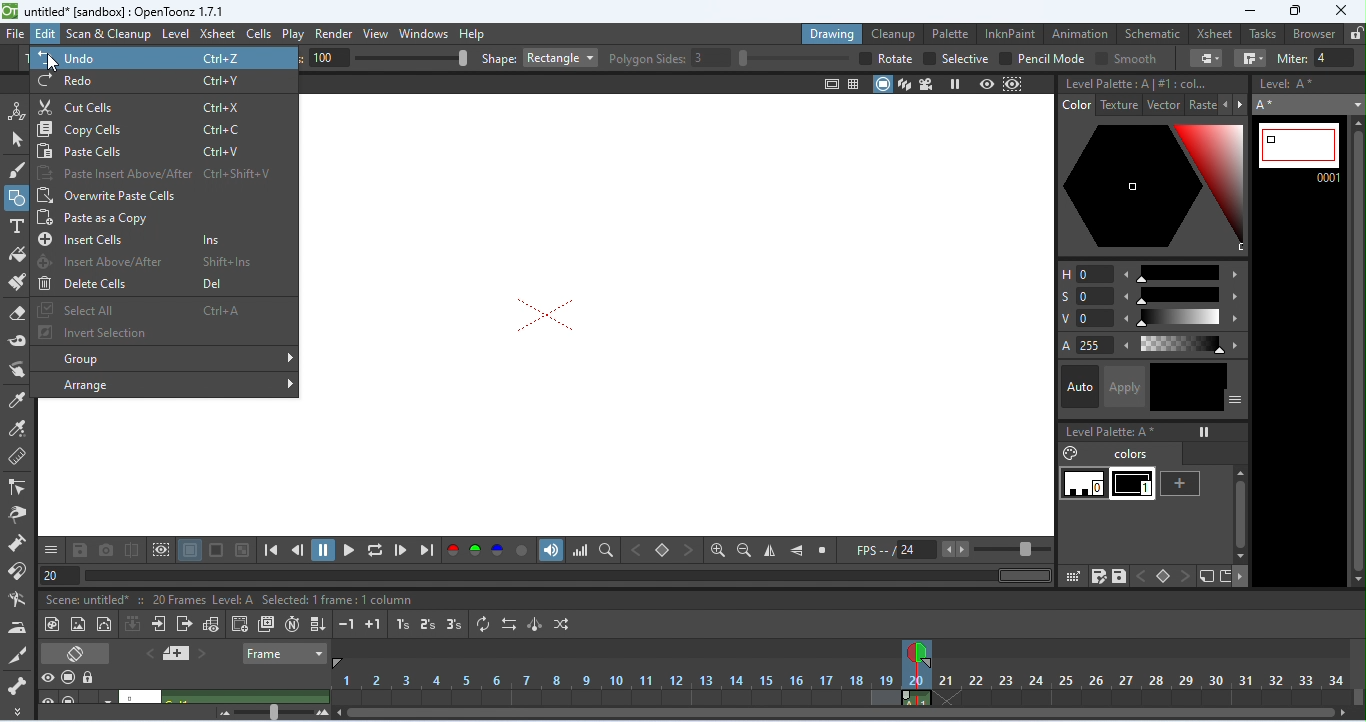  What do you see at coordinates (16, 655) in the screenshot?
I see `cutter` at bounding box center [16, 655].